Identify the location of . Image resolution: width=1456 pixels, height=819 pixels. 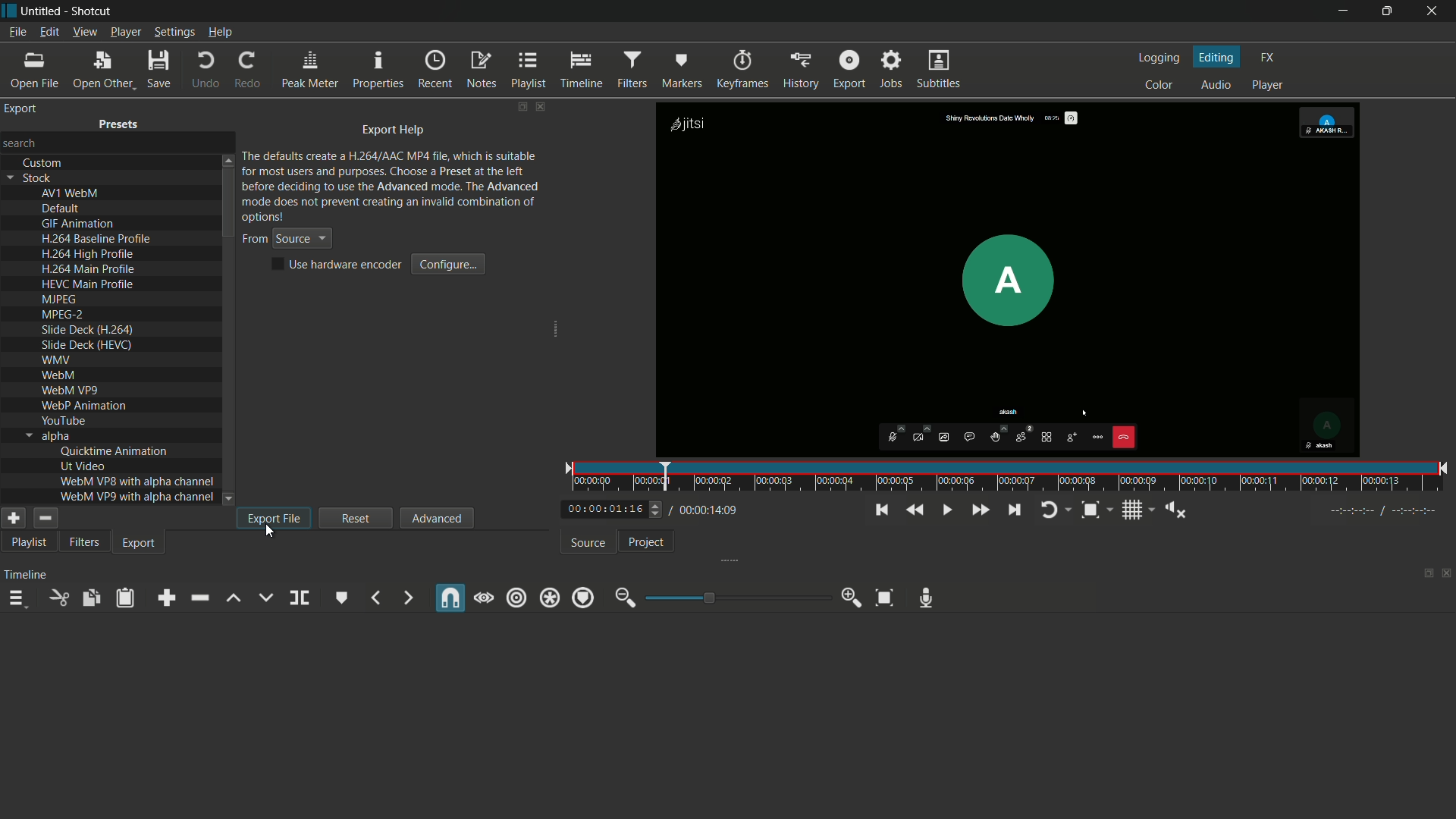
(124, 31).